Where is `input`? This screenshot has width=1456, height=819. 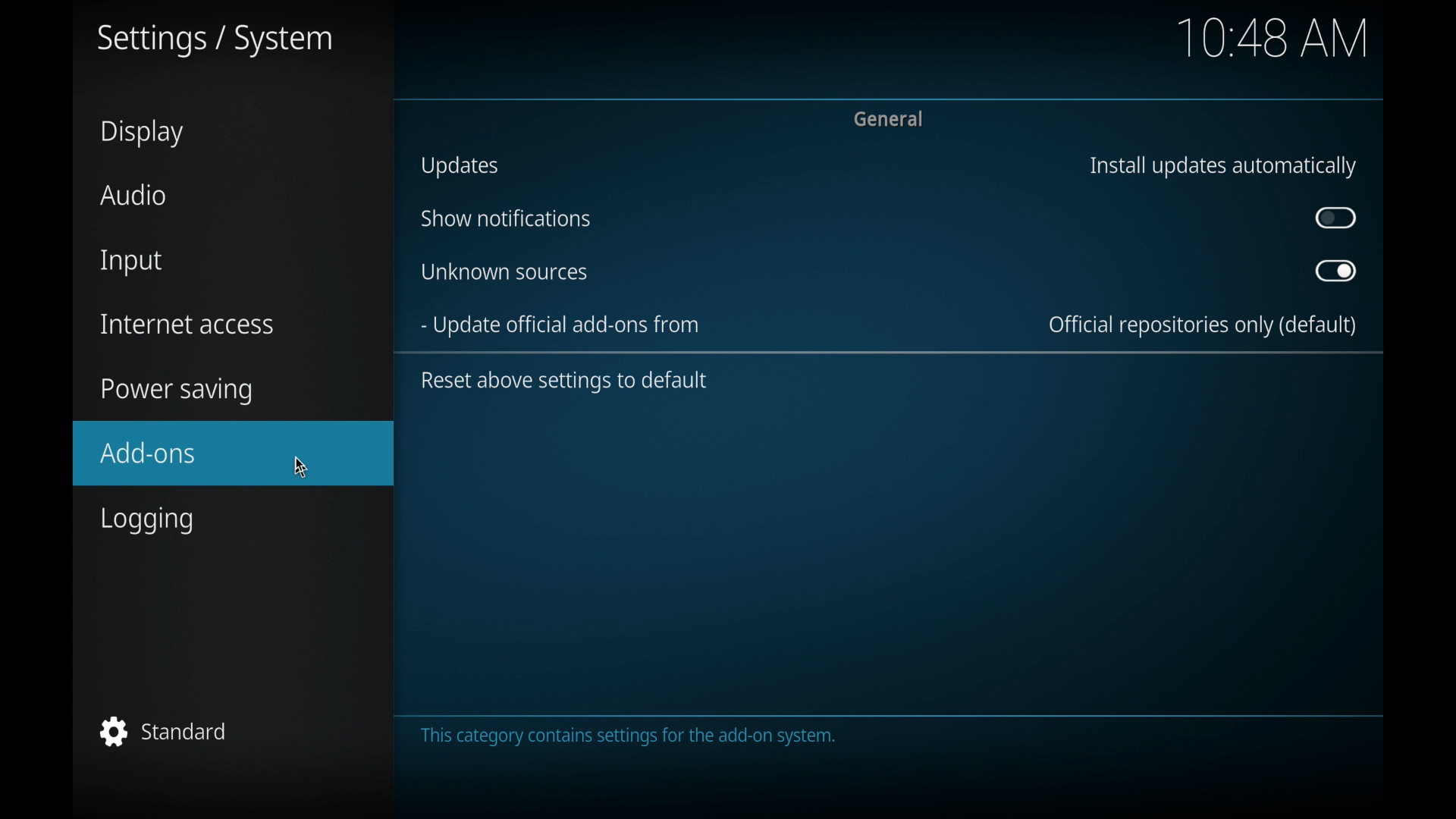 input is located at coordinates (132, 263).